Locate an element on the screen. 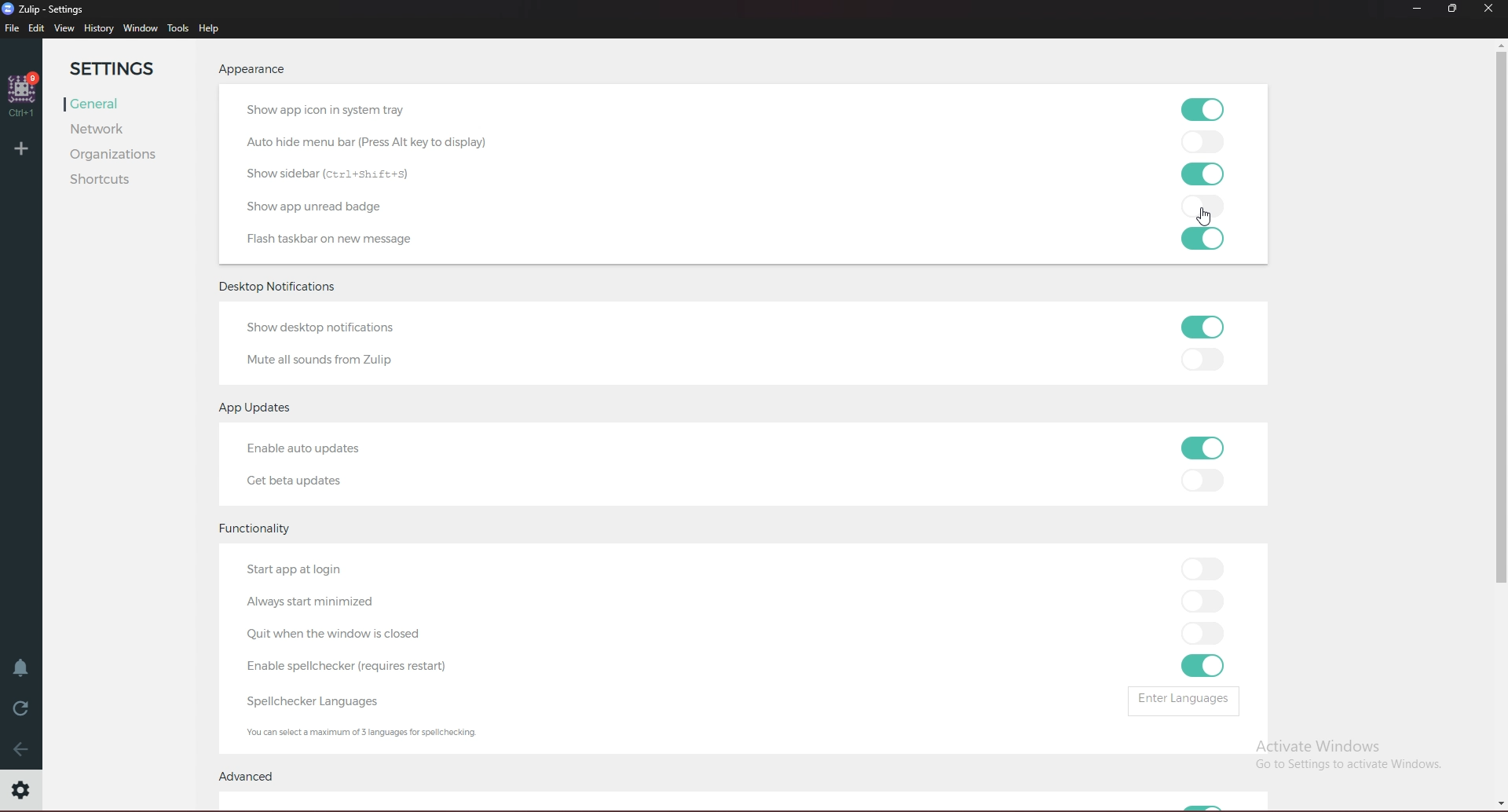  toggle is located at coordinates (1208, 239).